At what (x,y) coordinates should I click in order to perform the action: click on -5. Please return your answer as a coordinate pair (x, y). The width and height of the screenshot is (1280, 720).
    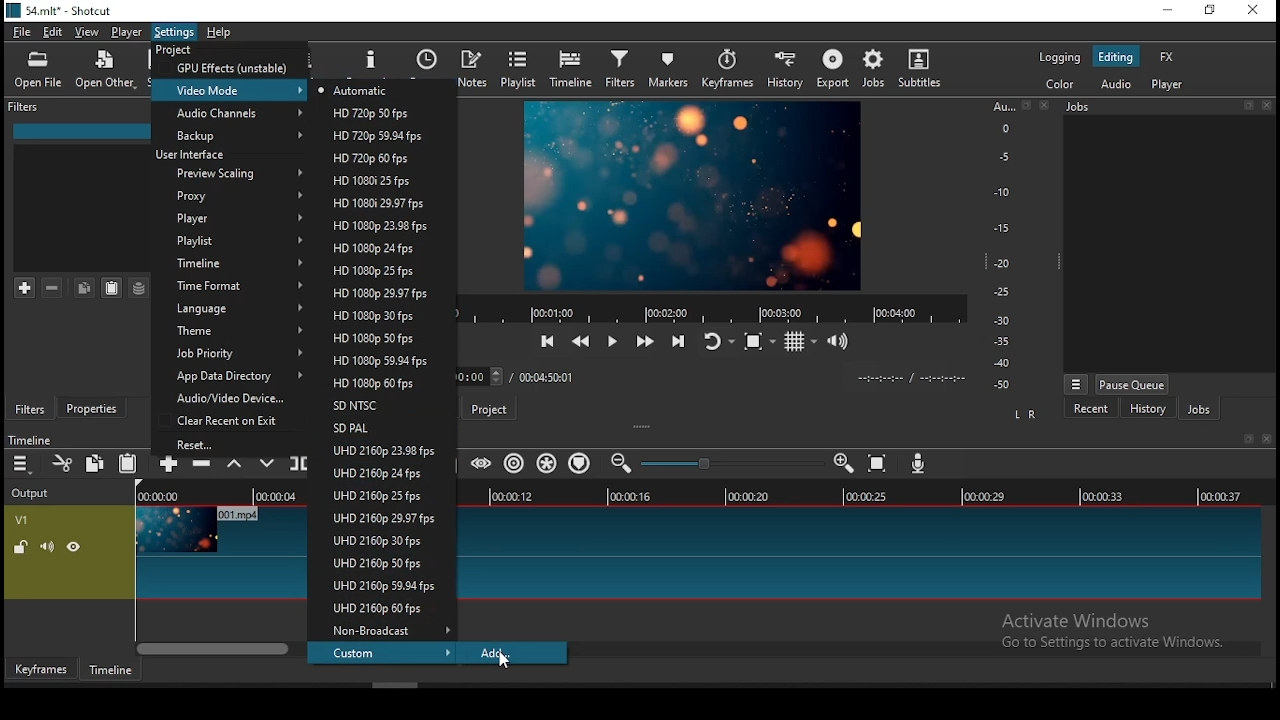
    Looking at the image, I should click on (1002, 155).